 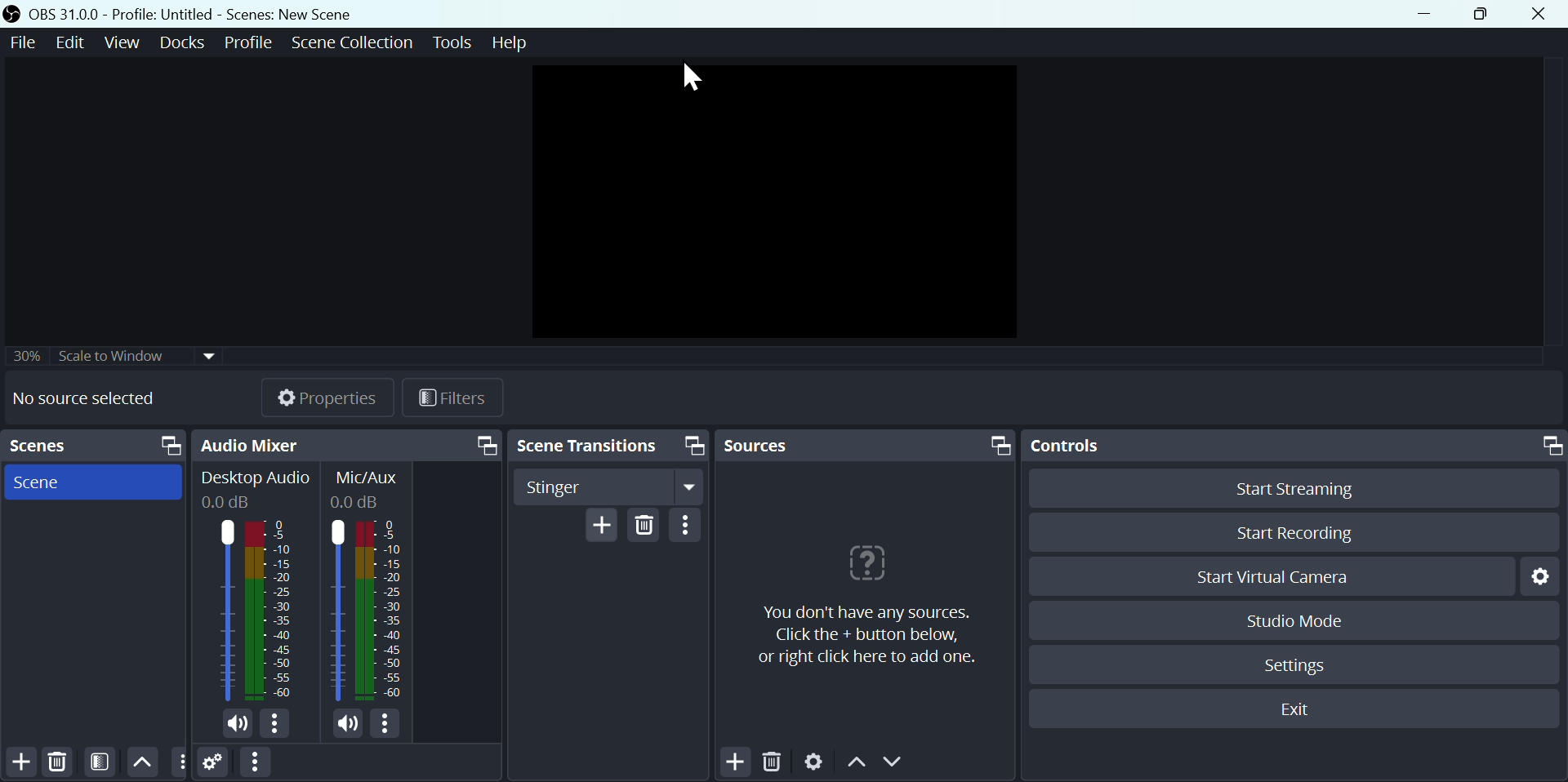 What do you see at coordinates (1293, 446) in the screenshot?
I see `Controls` at bounding box center [1293, 446].